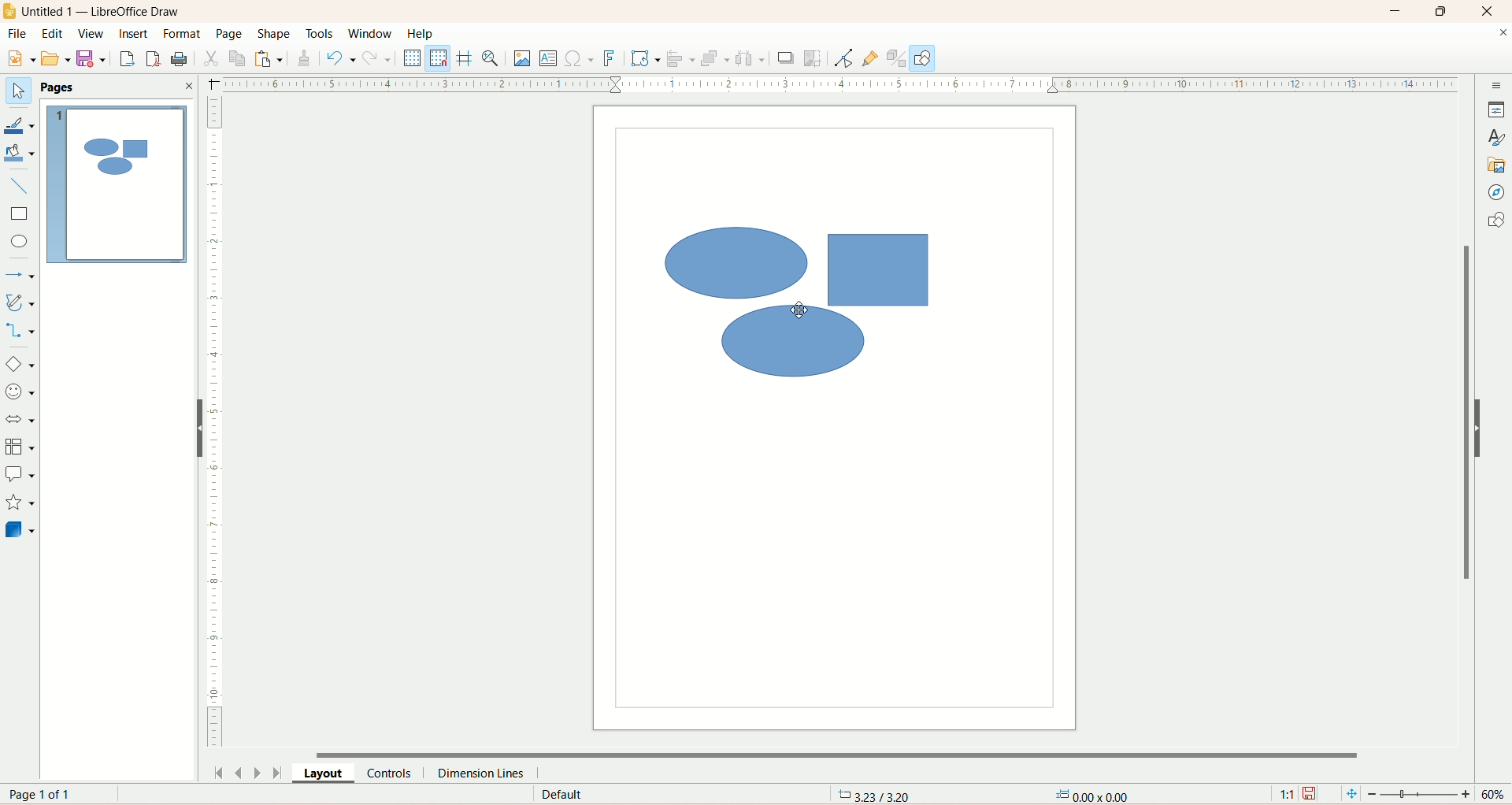  I want to click on ellipse, so click(17, 243).